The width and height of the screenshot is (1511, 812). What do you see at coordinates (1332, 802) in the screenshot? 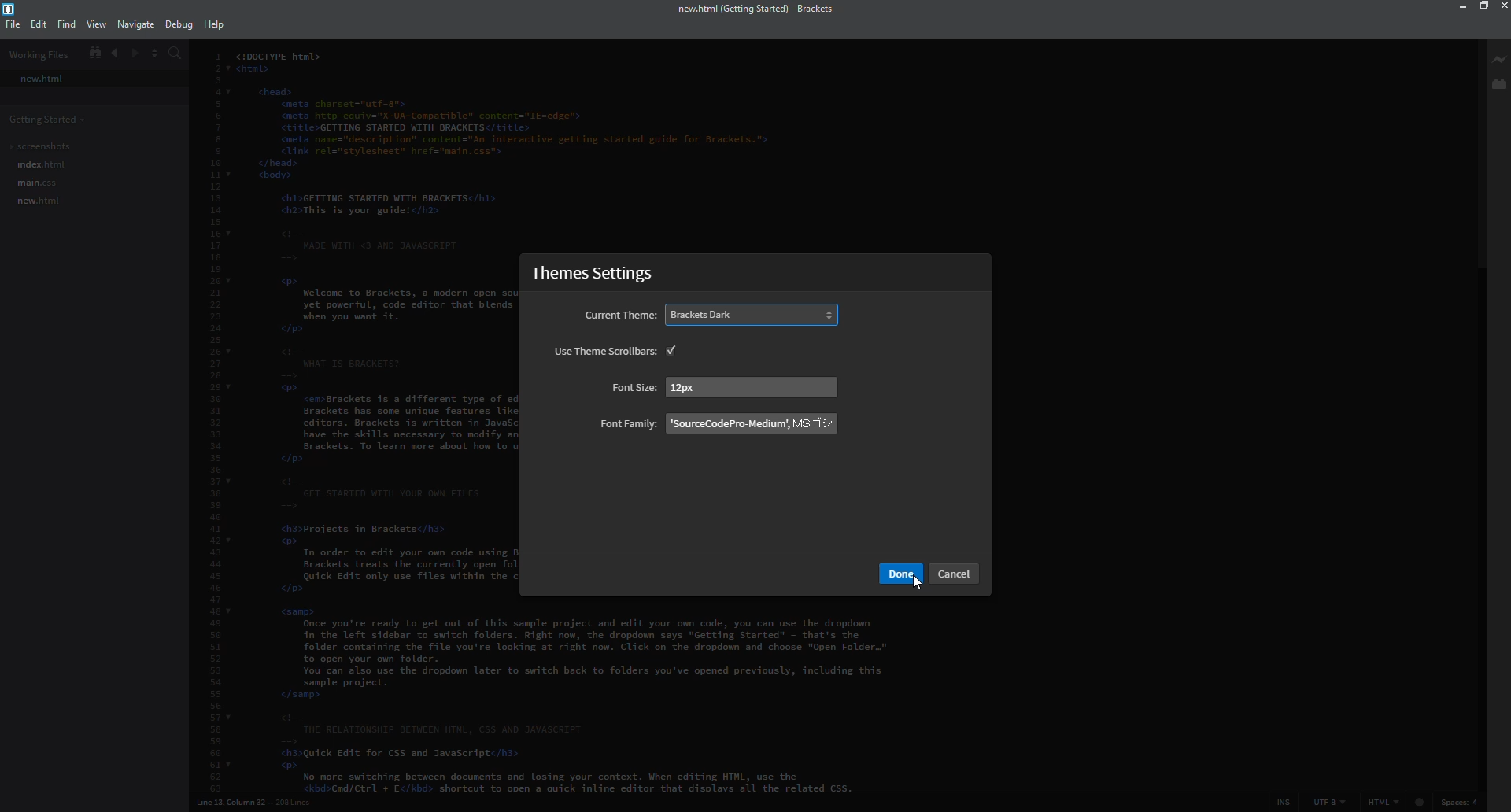
I see `utf` at bounding box center [1332, 802].